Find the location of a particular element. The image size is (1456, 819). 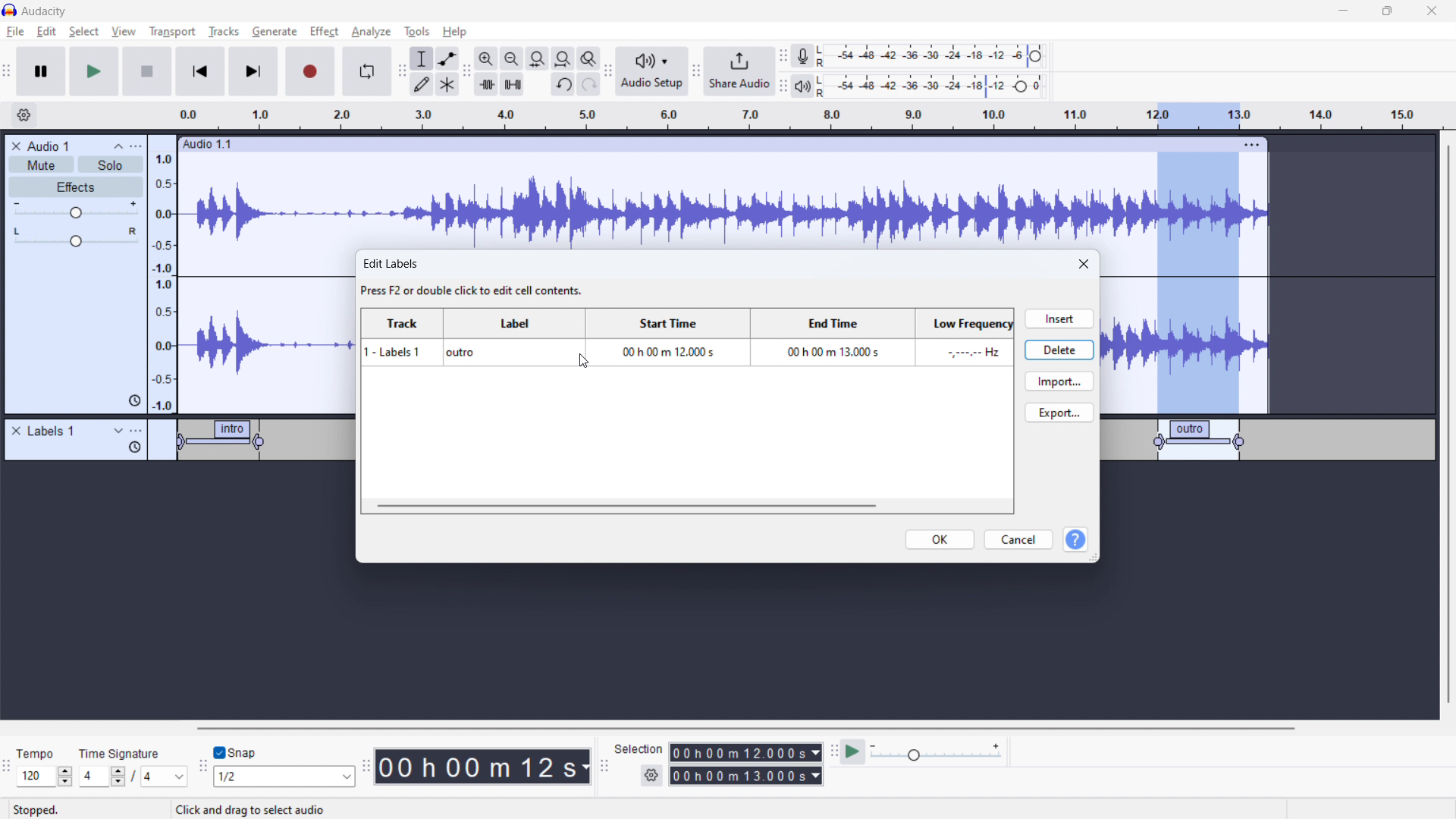

cancel is located at coordinates (1018, 540).